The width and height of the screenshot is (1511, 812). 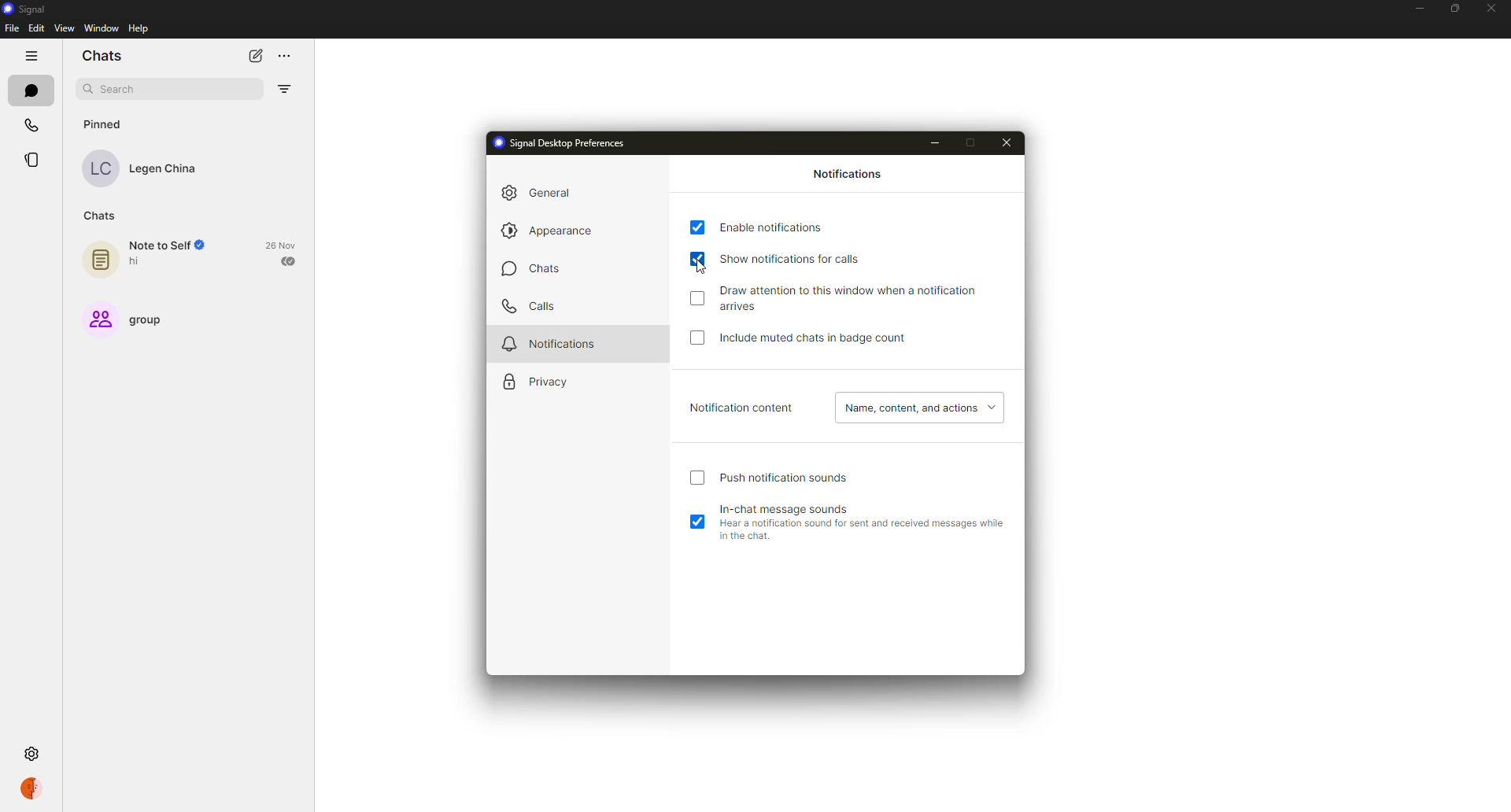 What do you see at coordinates (973, 144) in the screenshot?
I see `maximize` at bounding box center [973, 144].